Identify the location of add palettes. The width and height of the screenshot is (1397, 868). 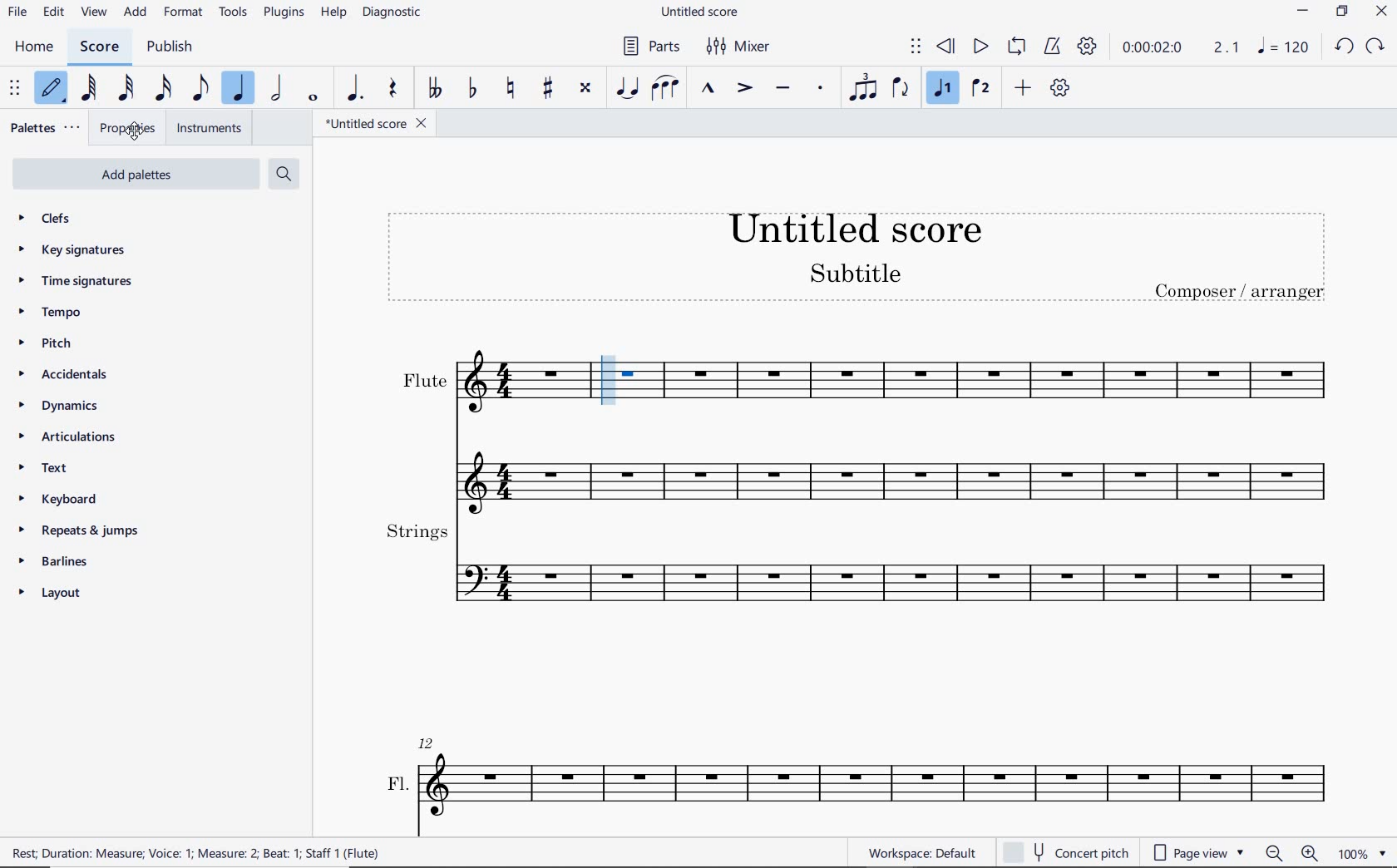
(134, 174).